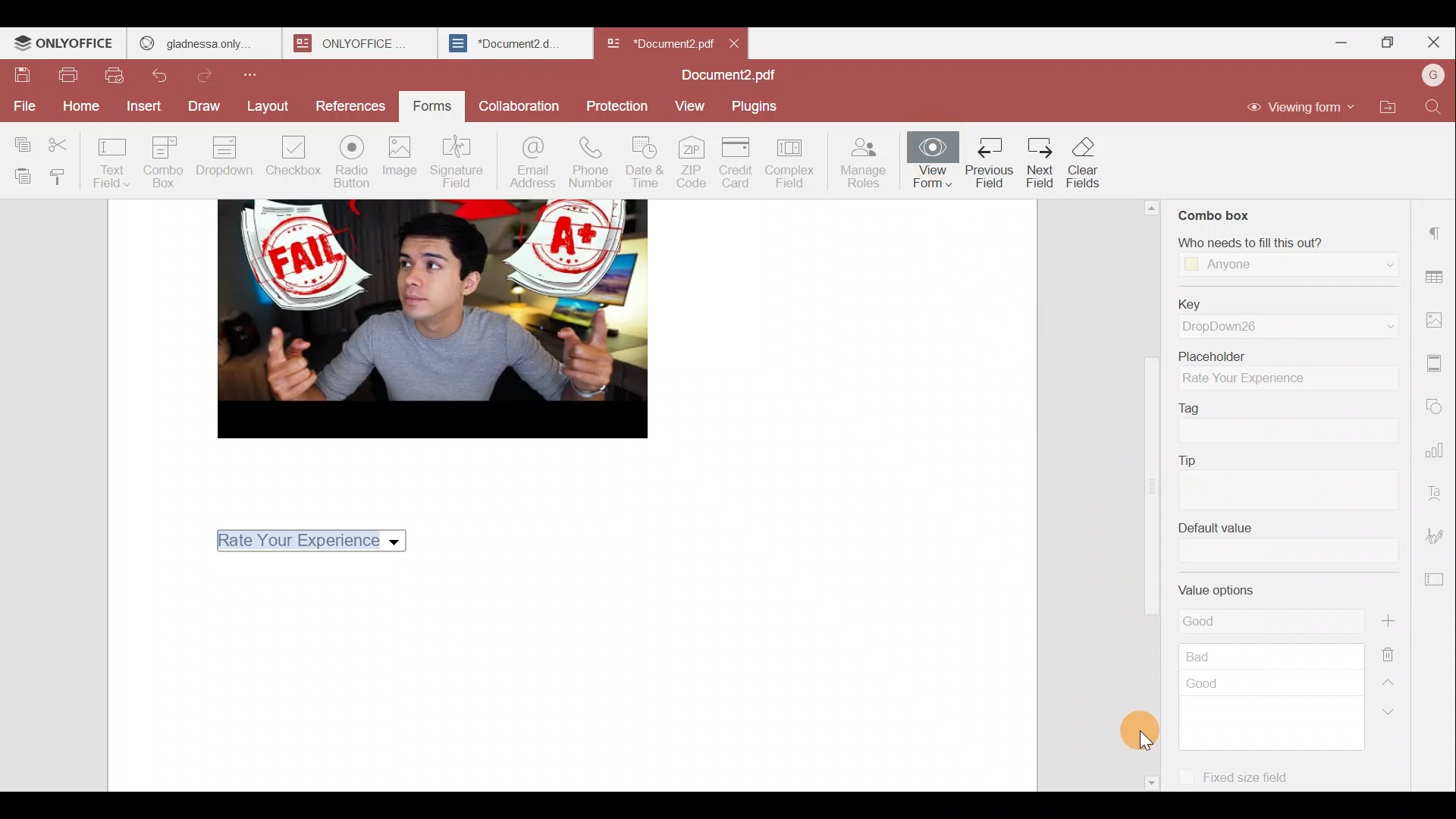  What do you see at coordinates (1042, 165) in the screenshot?
I see `Next
Field` at bounding box center [1042, 165].